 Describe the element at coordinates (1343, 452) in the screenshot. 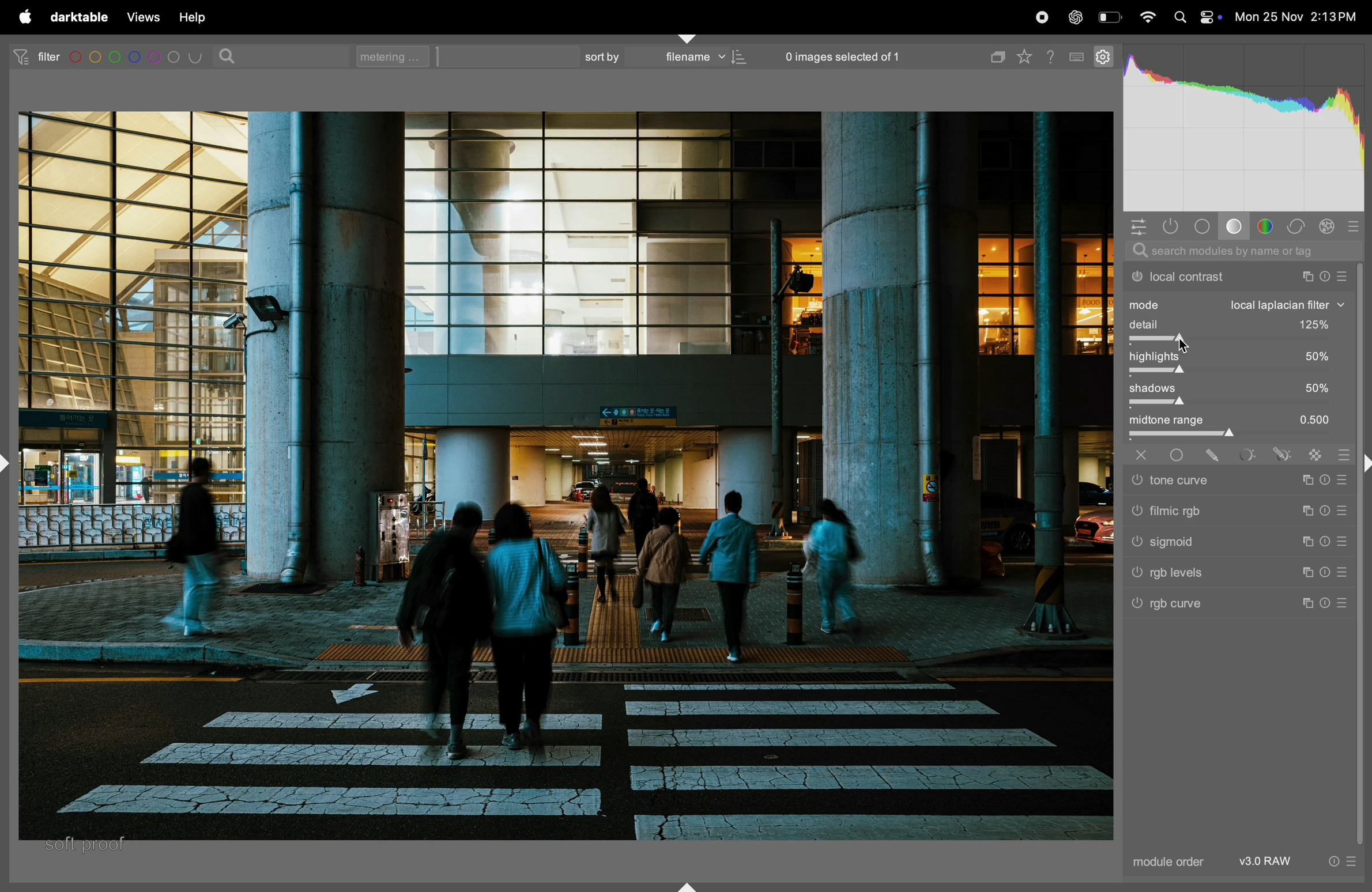

I see `blending options` at that location.